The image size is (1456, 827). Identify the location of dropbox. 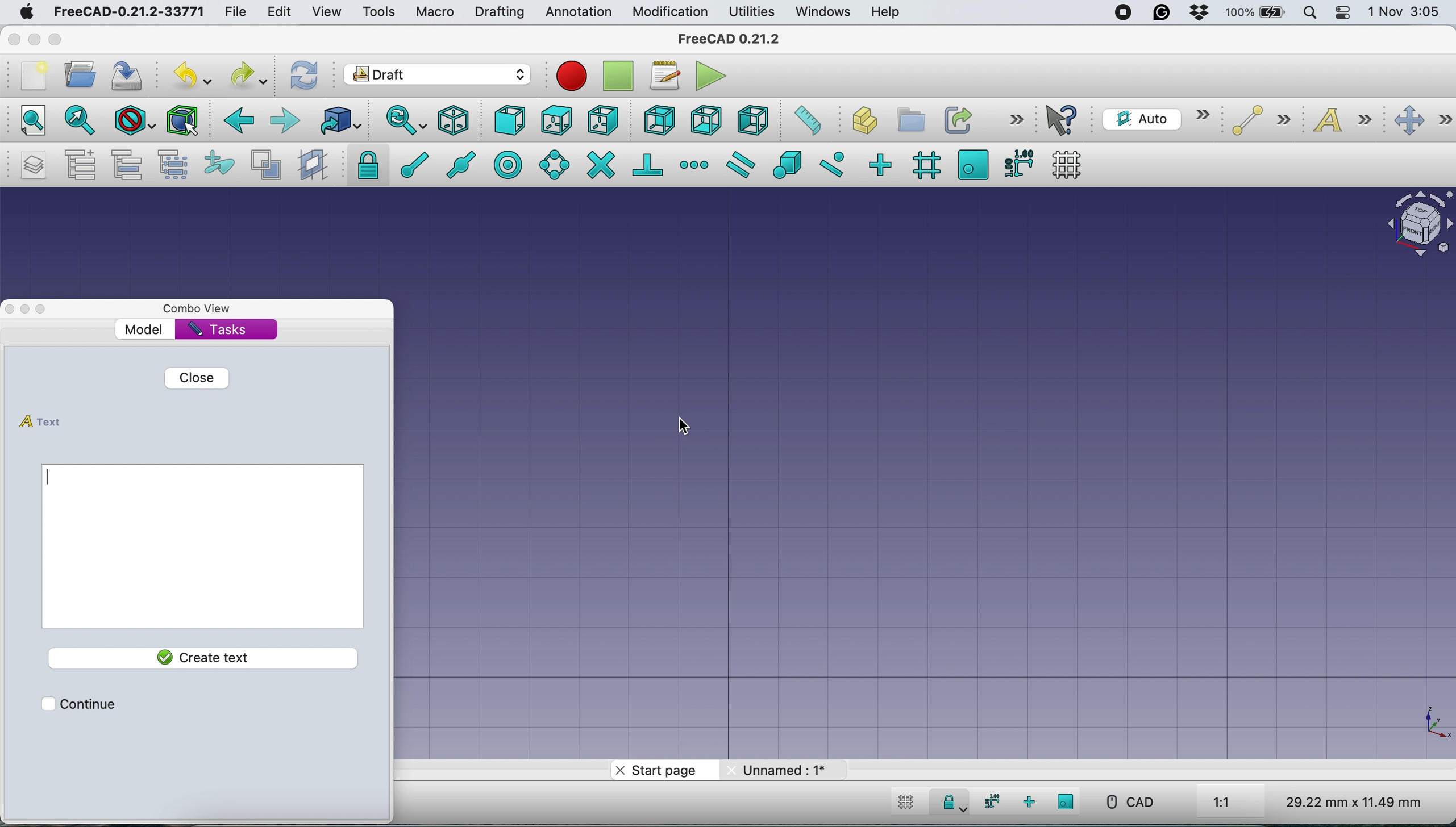
(1200, 14).